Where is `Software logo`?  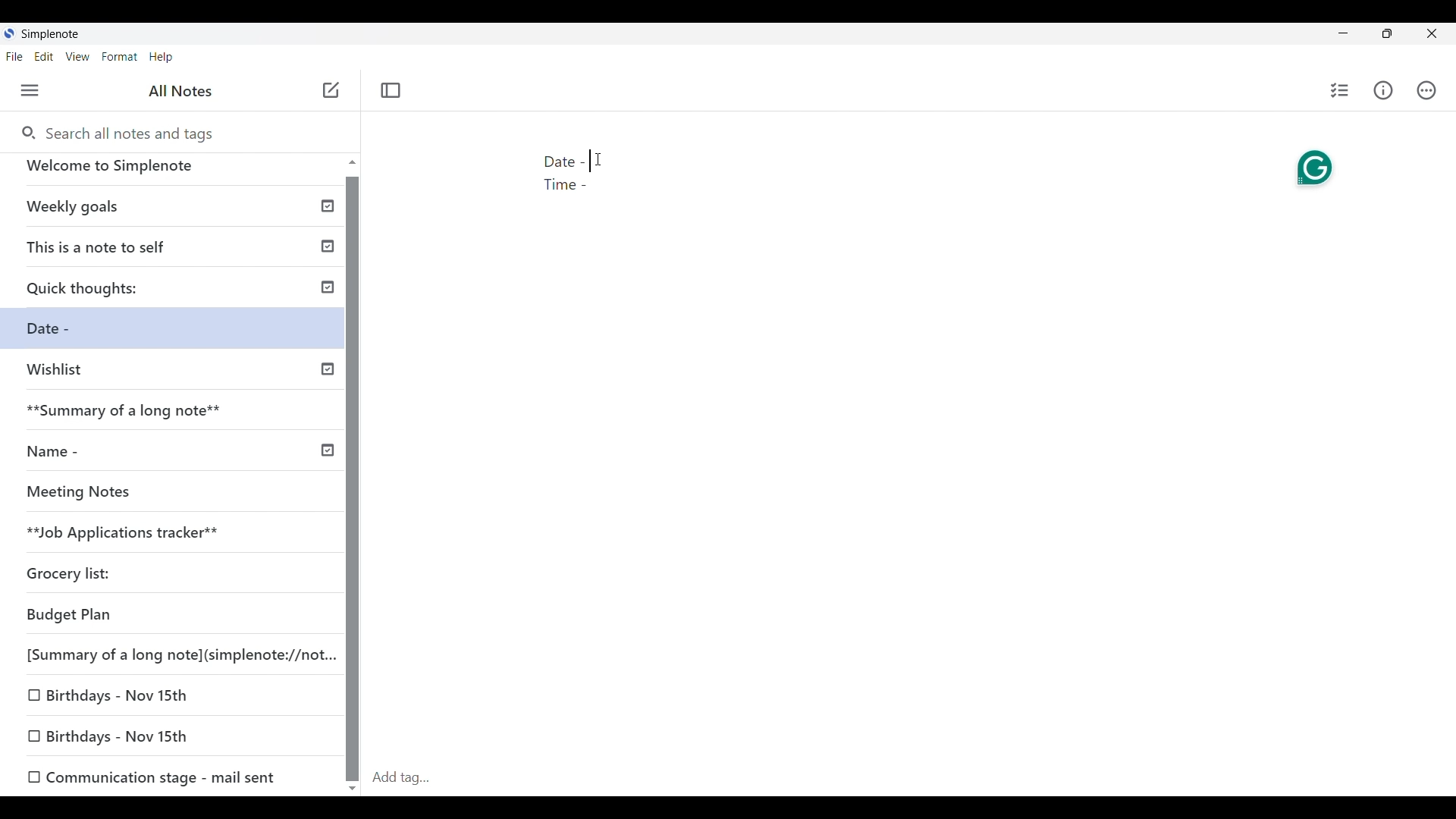
Software logo is located at coordinates (9, 33).